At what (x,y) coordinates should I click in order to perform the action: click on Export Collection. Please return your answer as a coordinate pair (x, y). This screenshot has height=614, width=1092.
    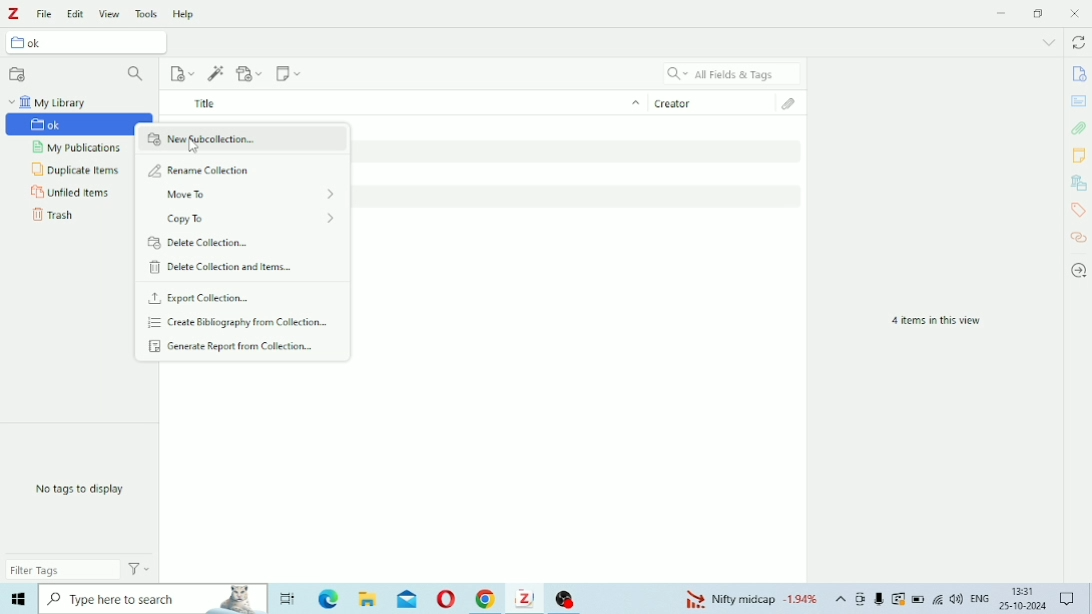
    Looking at the image, I should click on (200, 298).